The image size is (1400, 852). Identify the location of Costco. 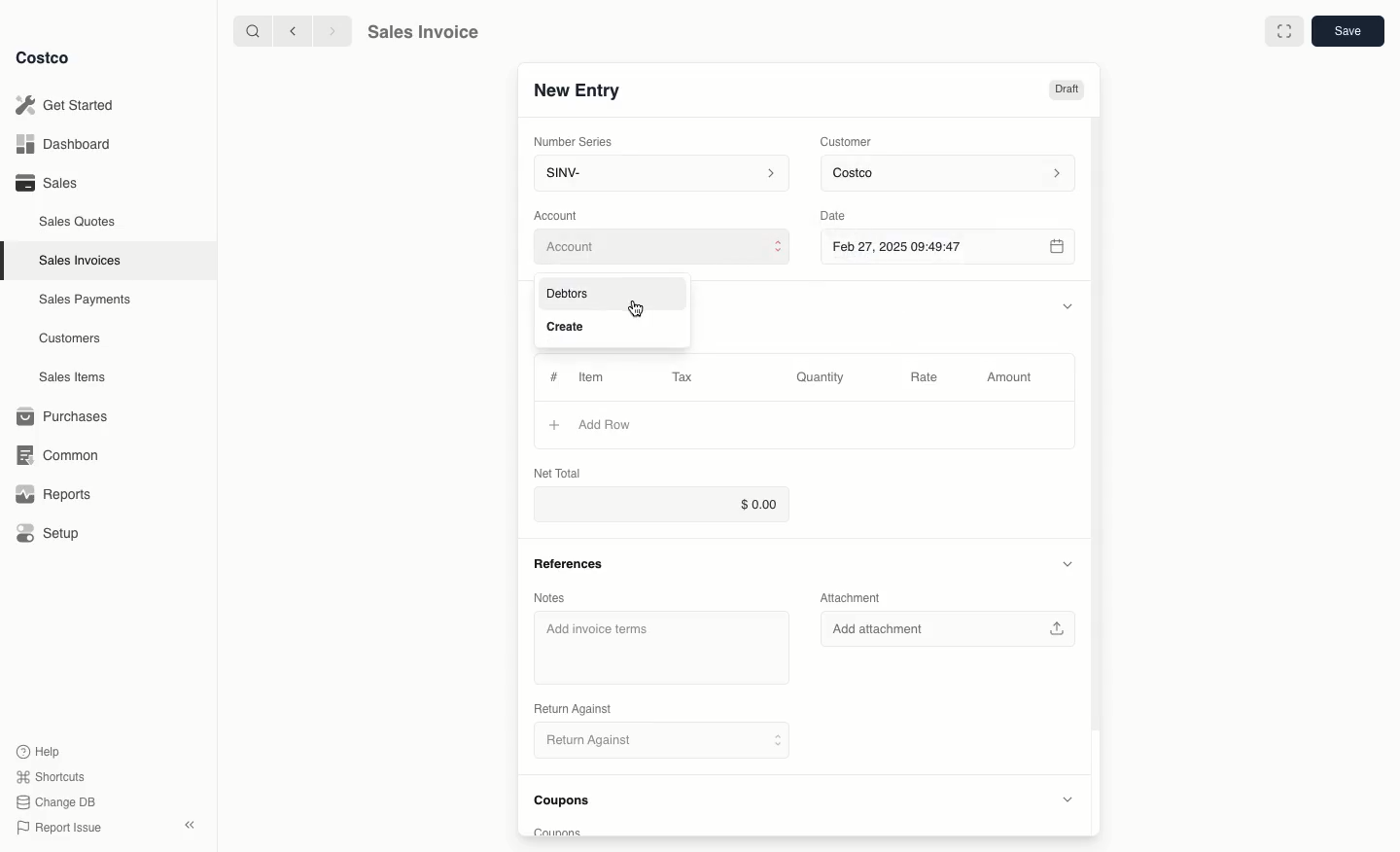
(951, 174).